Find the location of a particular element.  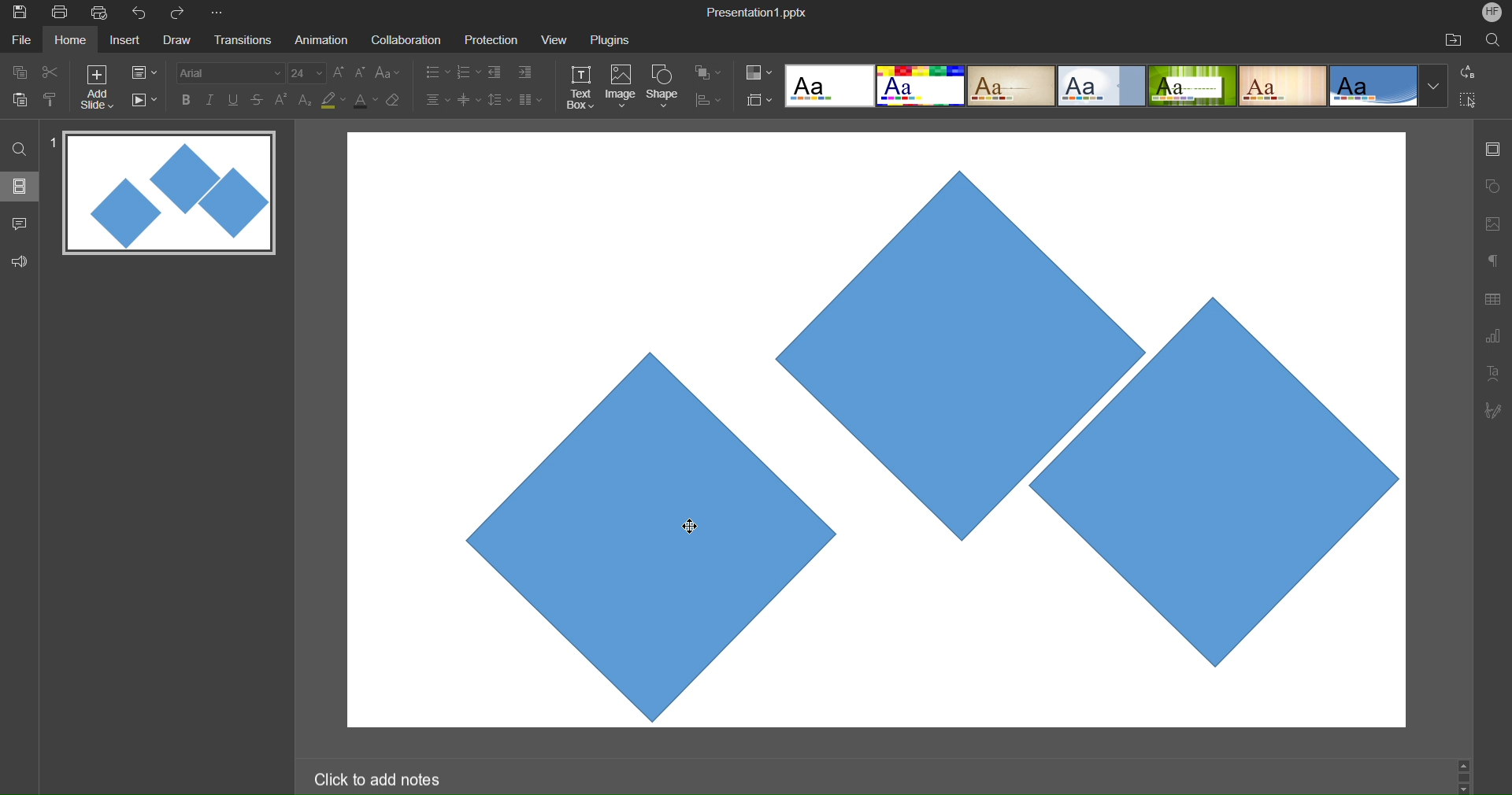

Plugins is located at coordinates (612, 39).